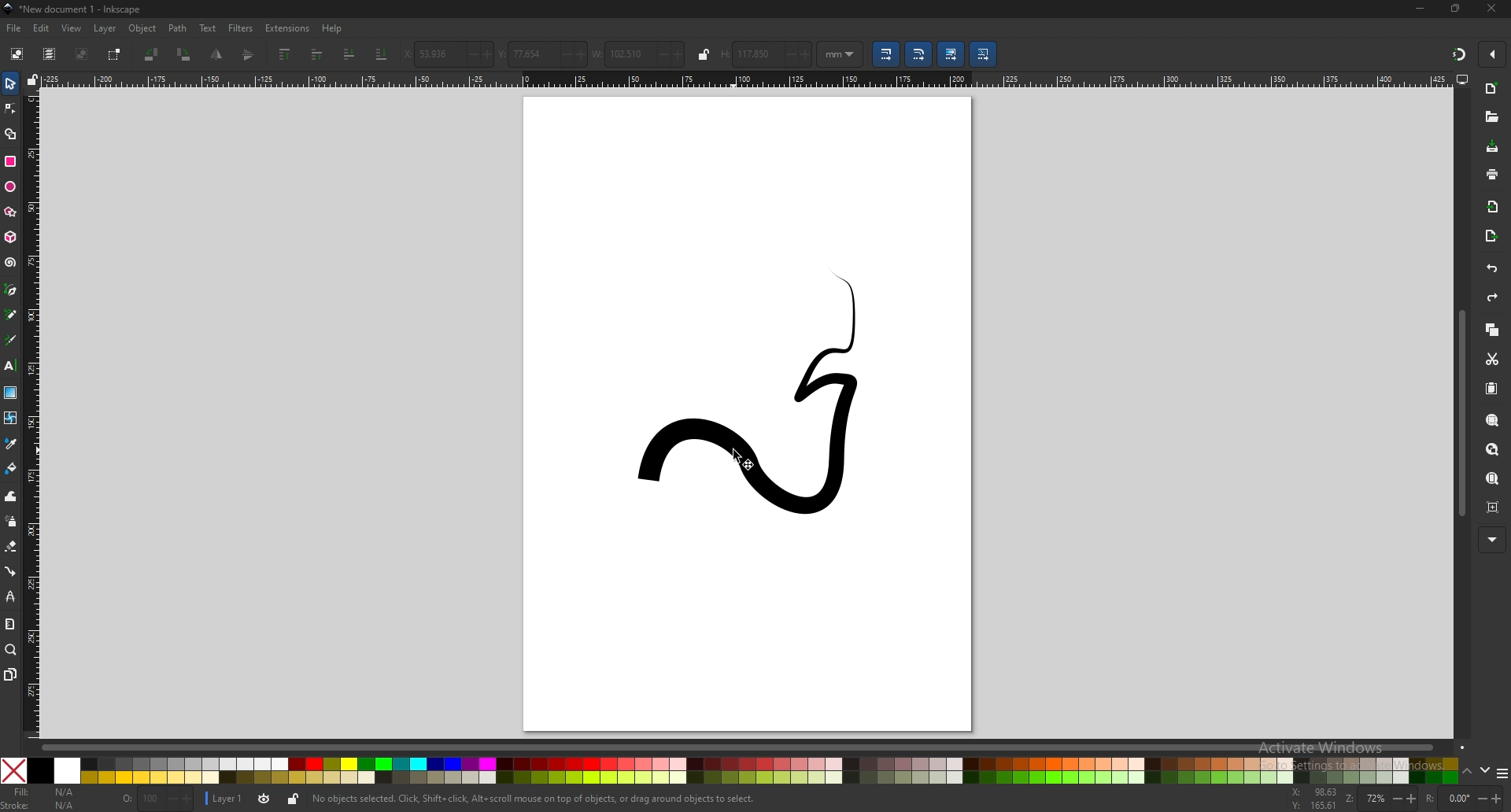  Describe the element at coordinates (13, 28) in the screenshot. I see `file` at that location.